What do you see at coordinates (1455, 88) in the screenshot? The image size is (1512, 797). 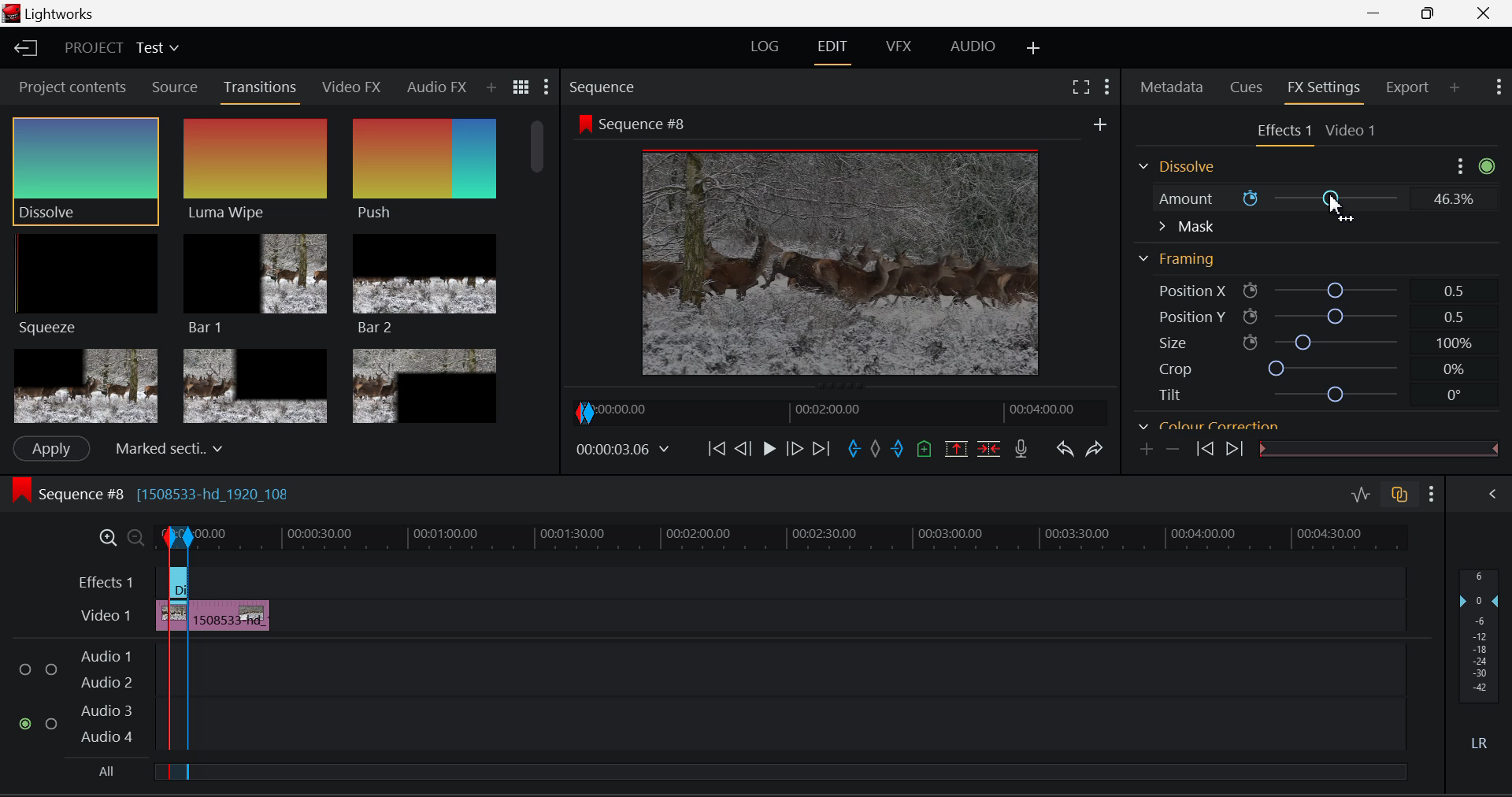 I see `Add Panel` at bounding box center [1455, 88].